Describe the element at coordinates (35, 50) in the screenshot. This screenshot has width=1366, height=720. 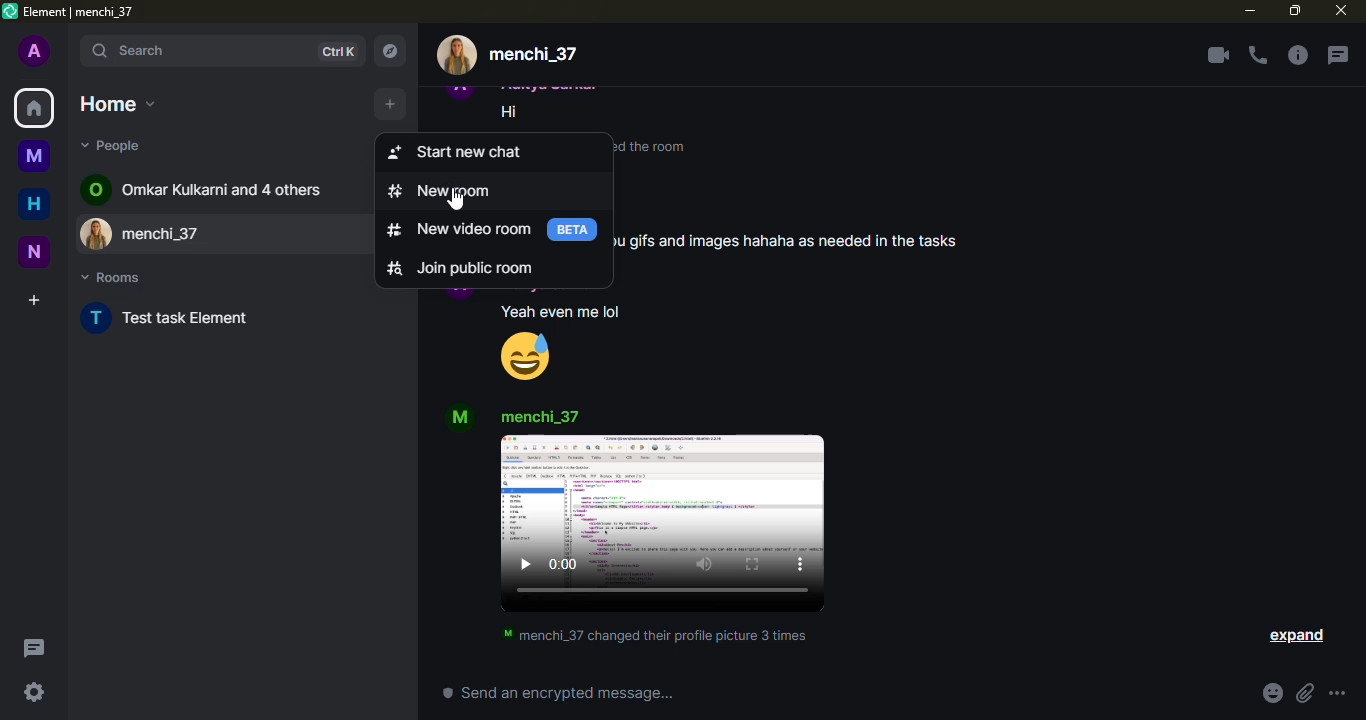
I see `profile initial` at that location.